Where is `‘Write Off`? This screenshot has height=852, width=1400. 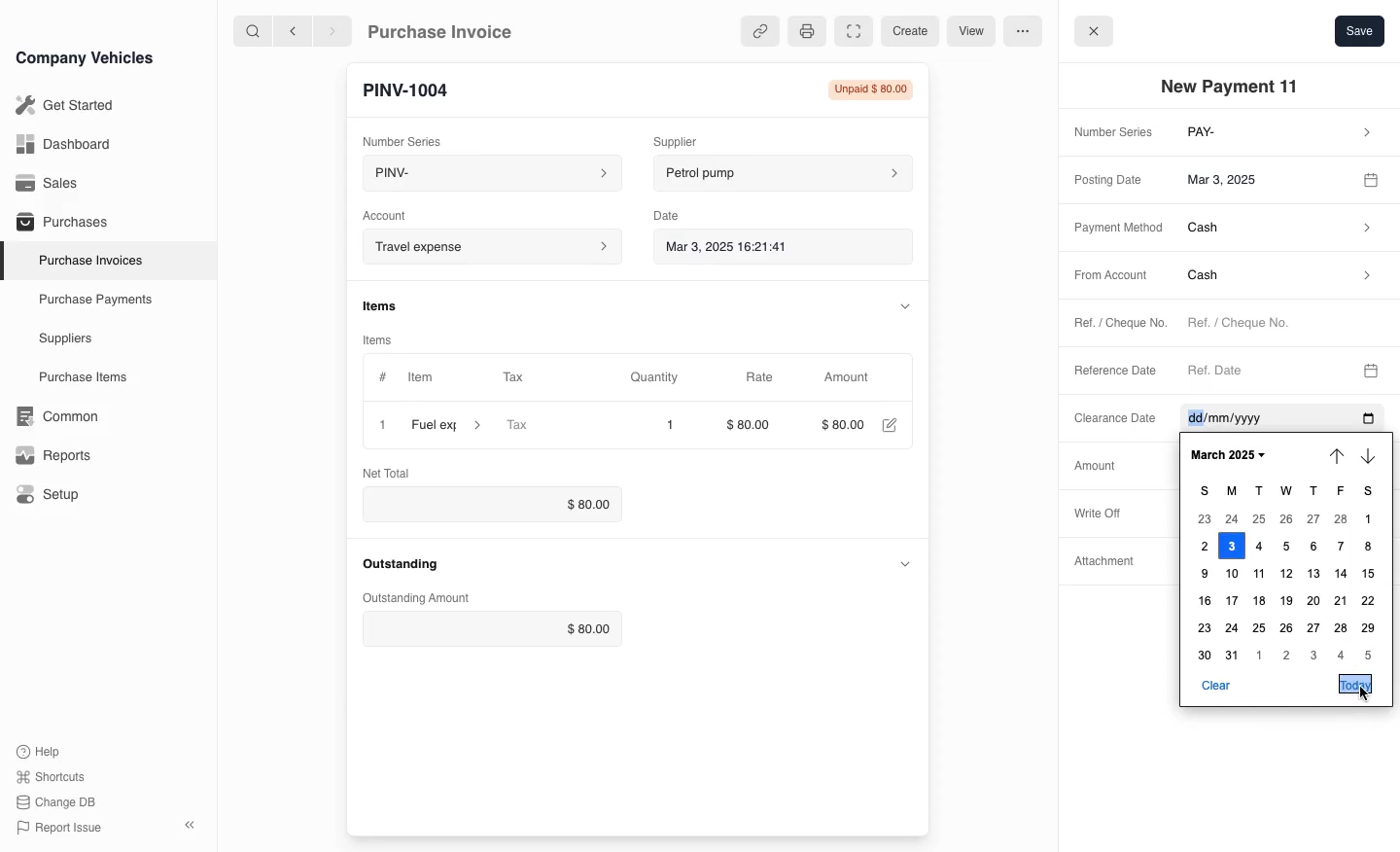 ‘Write Off is located at coordinates (1104, 512).